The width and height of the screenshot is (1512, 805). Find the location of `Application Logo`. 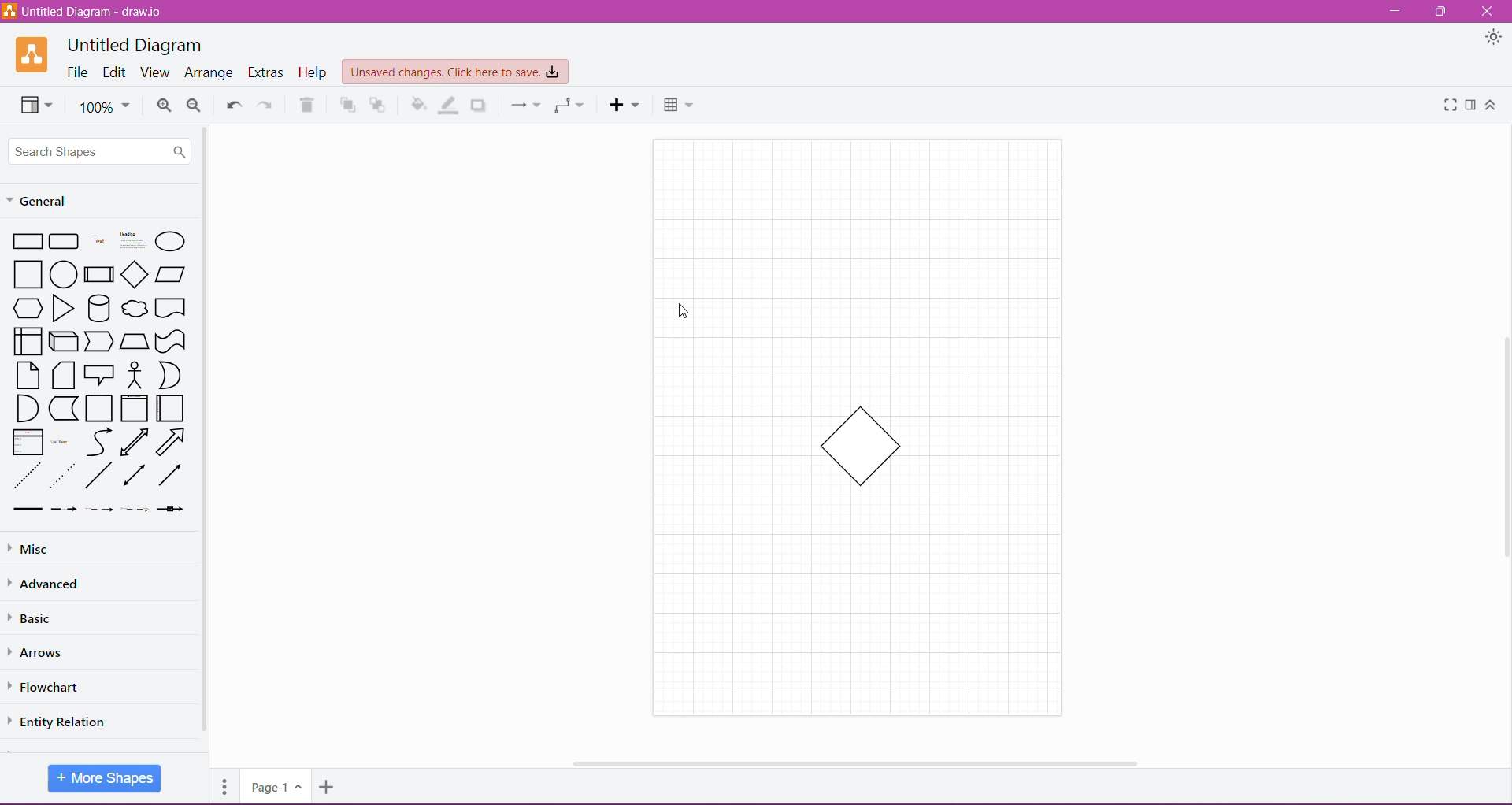

Application Logo is located at coordinates (31, 54).